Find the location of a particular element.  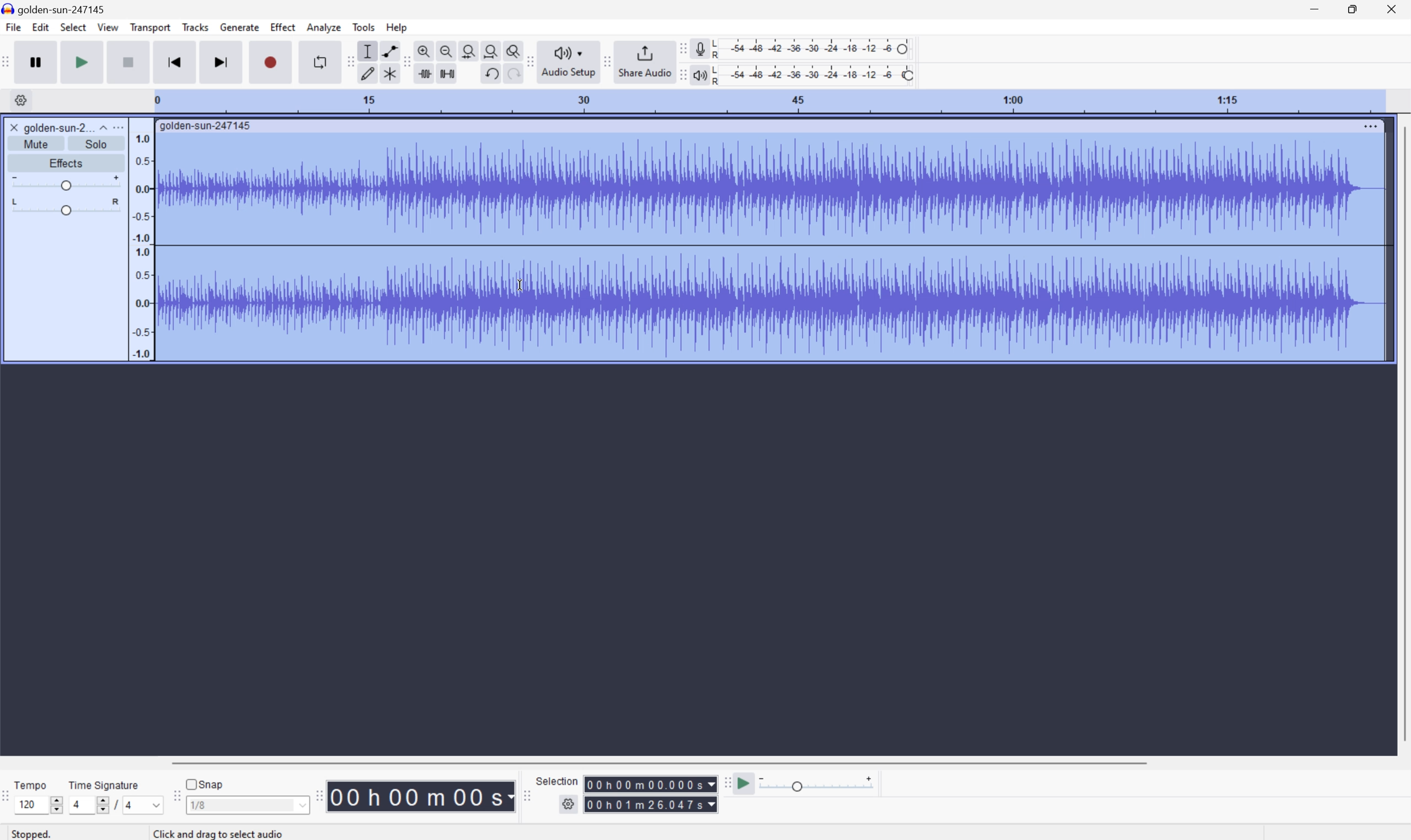

Close is located at coordinates (14, 127).